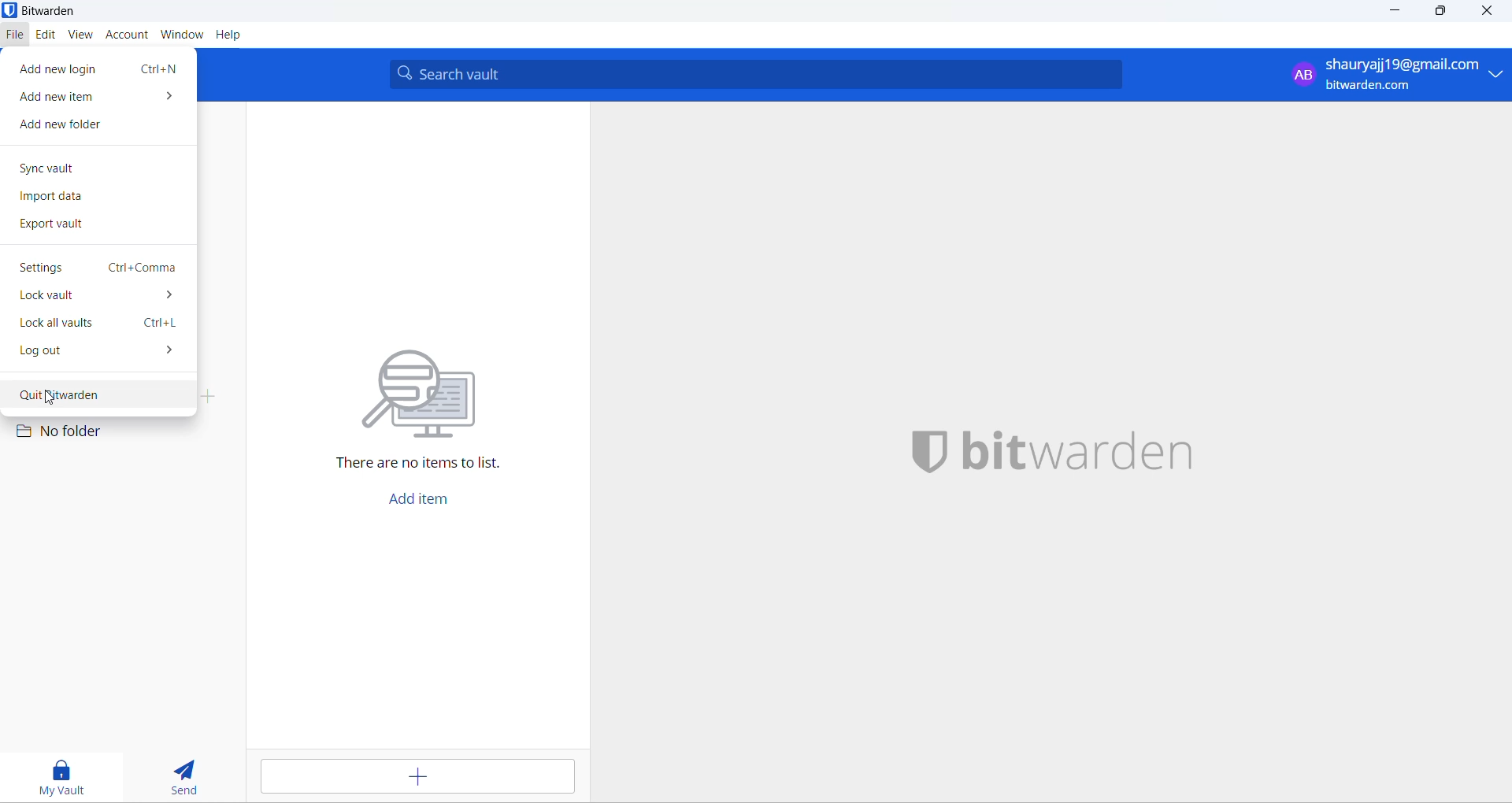 Image resolution: width=1512 pixels, height=803 pixels. What do you see at coordinates (103, 98) in the screenshot?
I see `add new item` at bounding box center [103, 98].